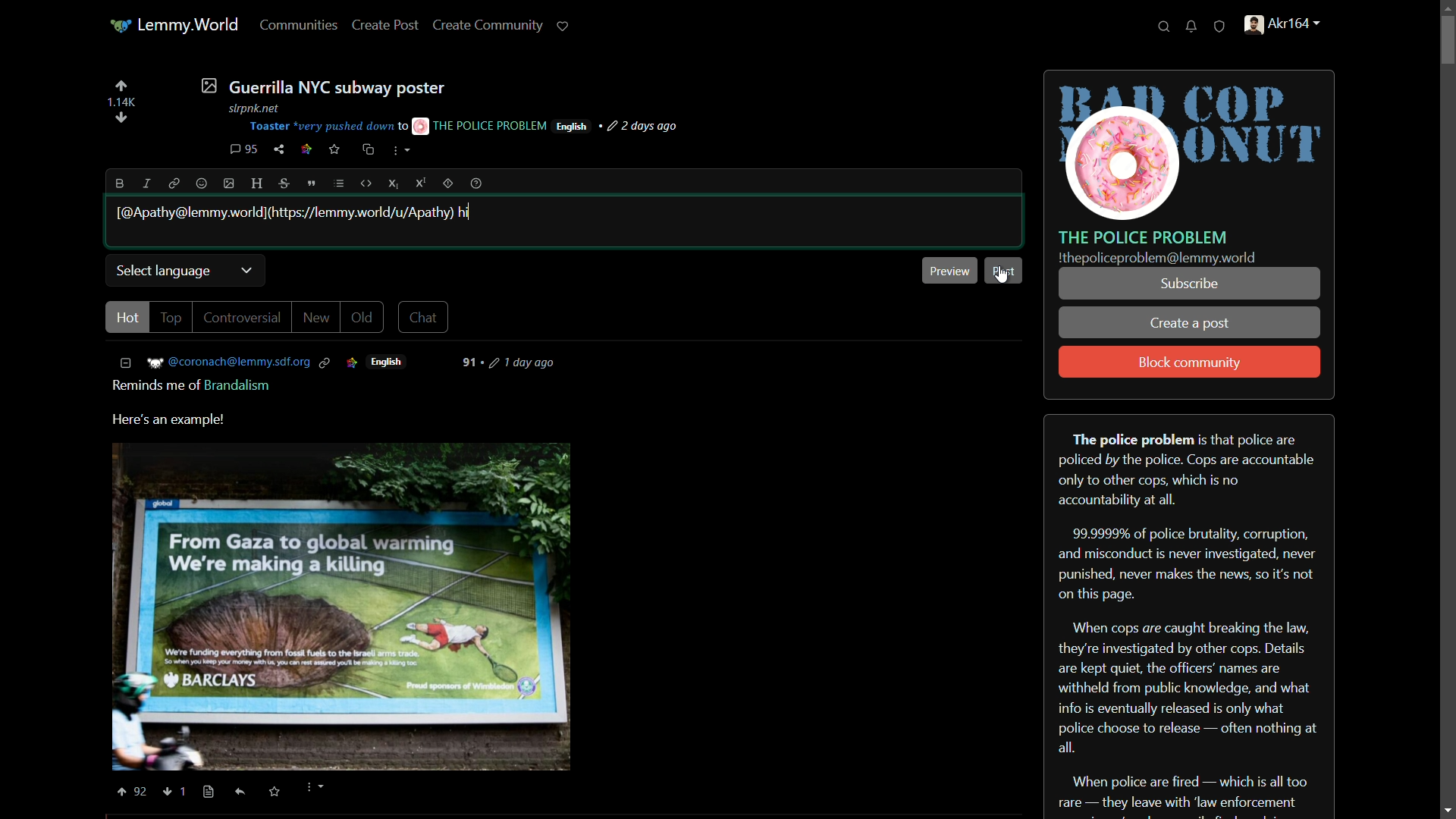 This screenshot has height=819, width=1456. Describe the element at coordinates (1003, 275) in the screenshot. I see `cursor` at that location.